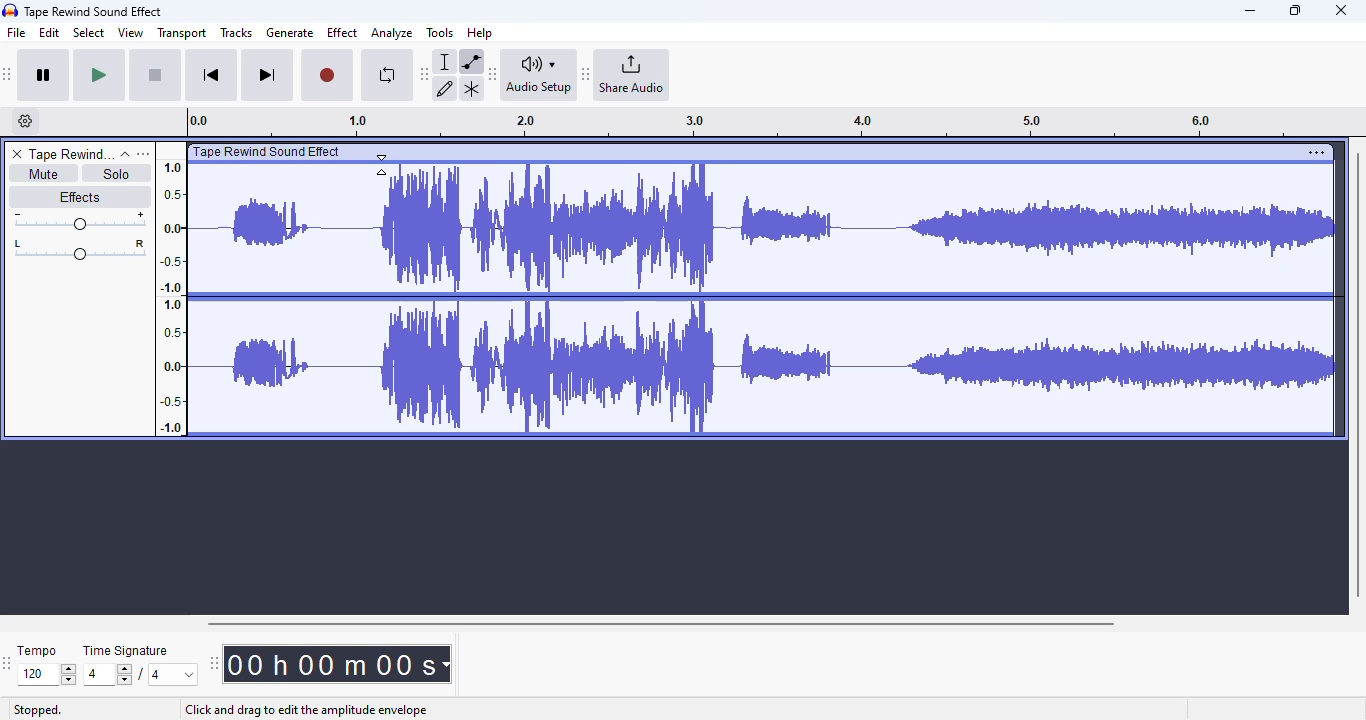 The width and height of the screenshot is (1366, 720). What do you see at coordinates (94, 11) in the screenshot?
I see `title` at bounding box center [94, 11].